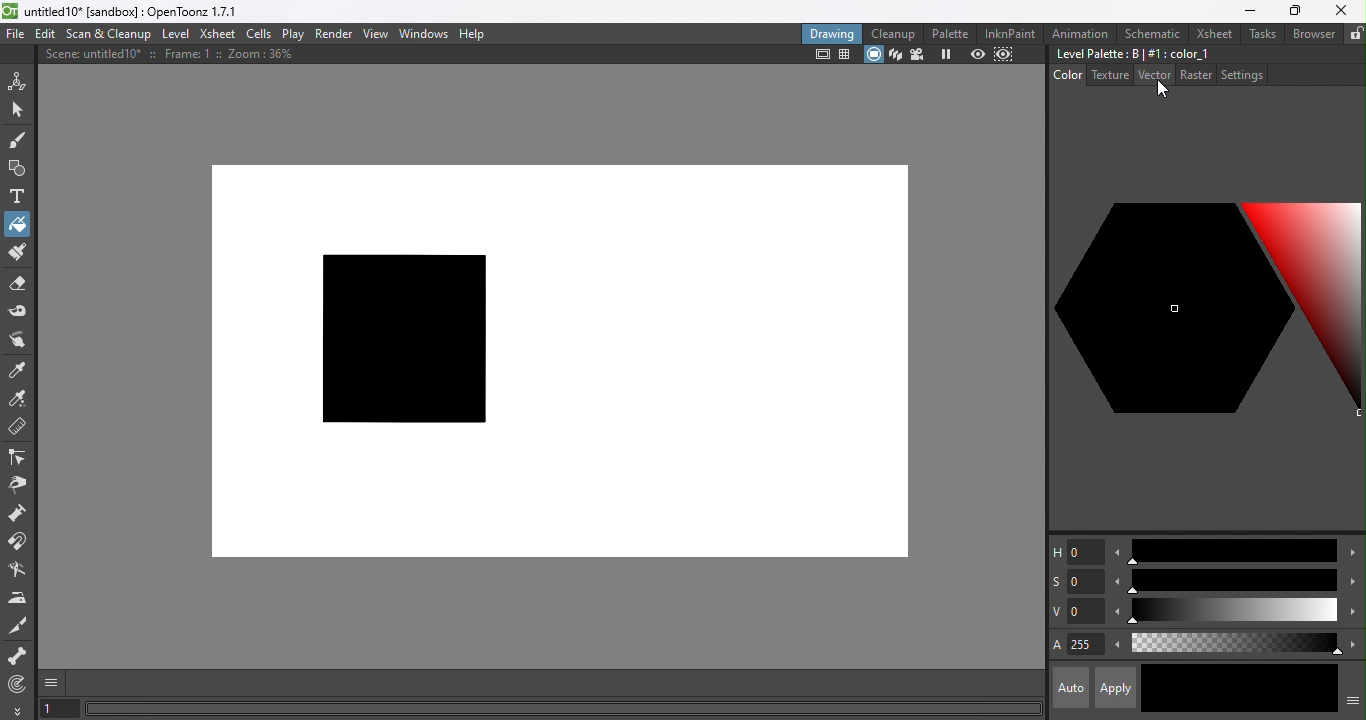 The width and height of the screenshot is (1366, 720). I want to click on Maximize, so click(1292, 12).